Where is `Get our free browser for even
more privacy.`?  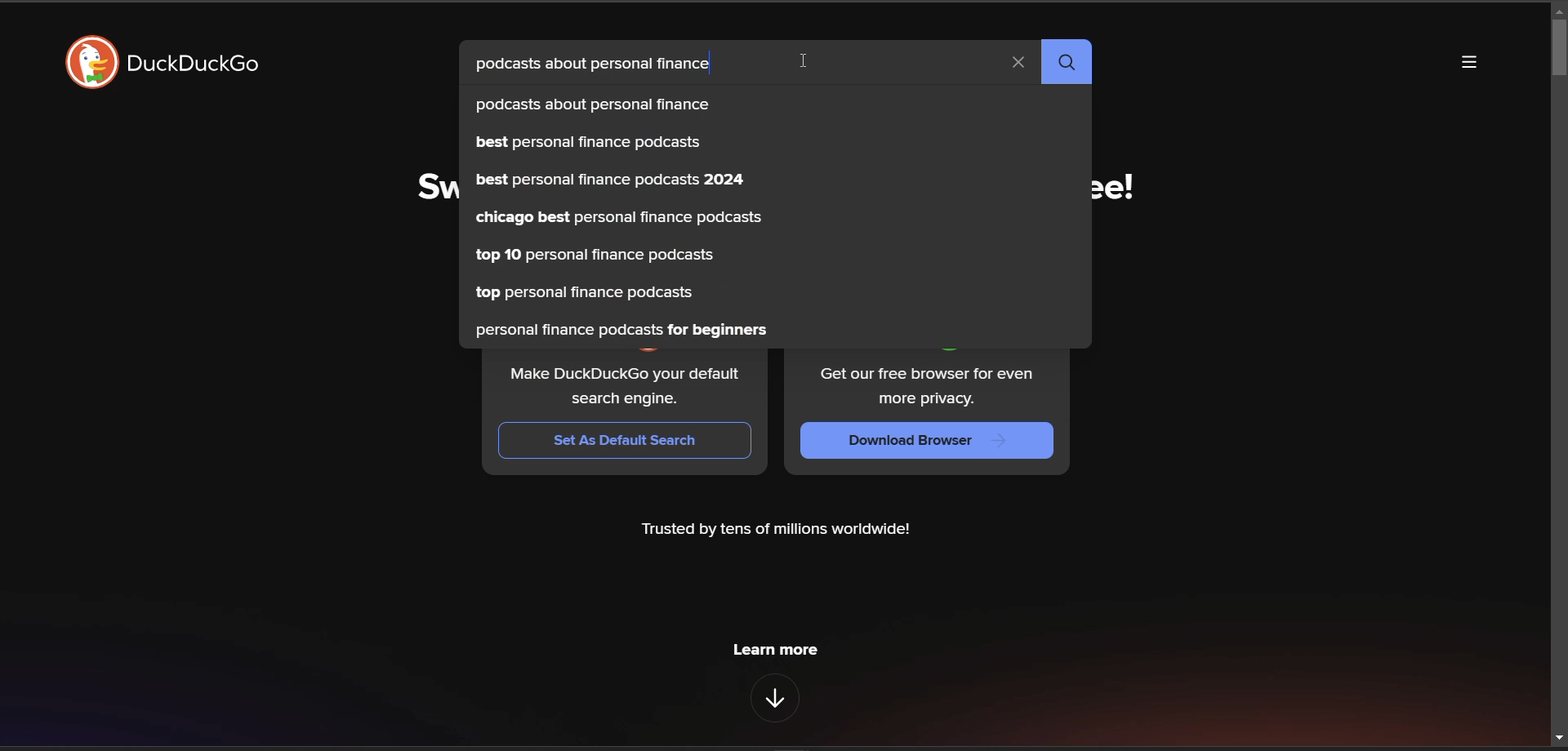
Get our free browser for even
more privacy. is located at coordinates (929, 387).